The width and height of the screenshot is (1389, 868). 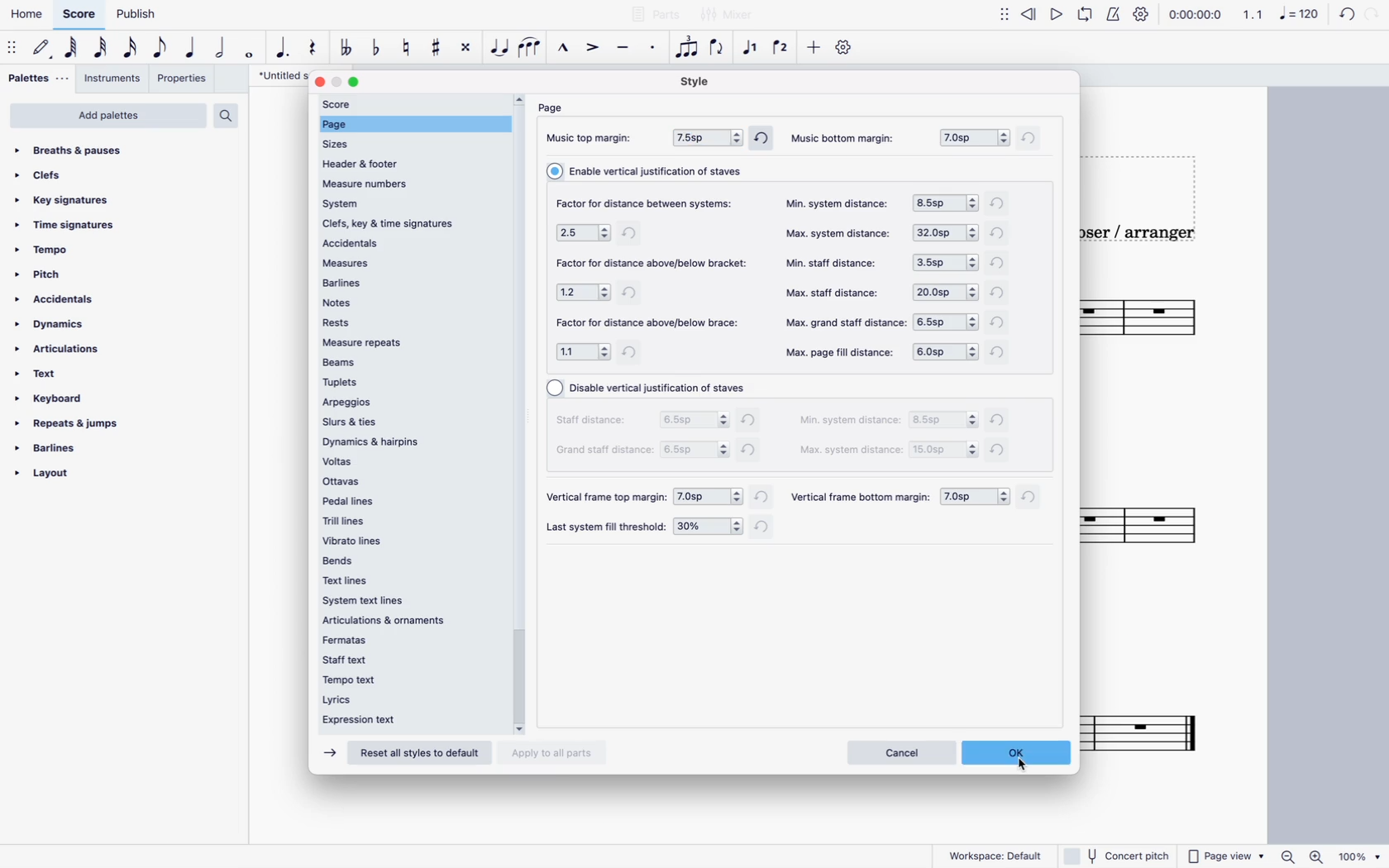 What do you see at coordinates (409, 182) in the screenshot?
I see `measure numbers` at bounding box center [409, 182].